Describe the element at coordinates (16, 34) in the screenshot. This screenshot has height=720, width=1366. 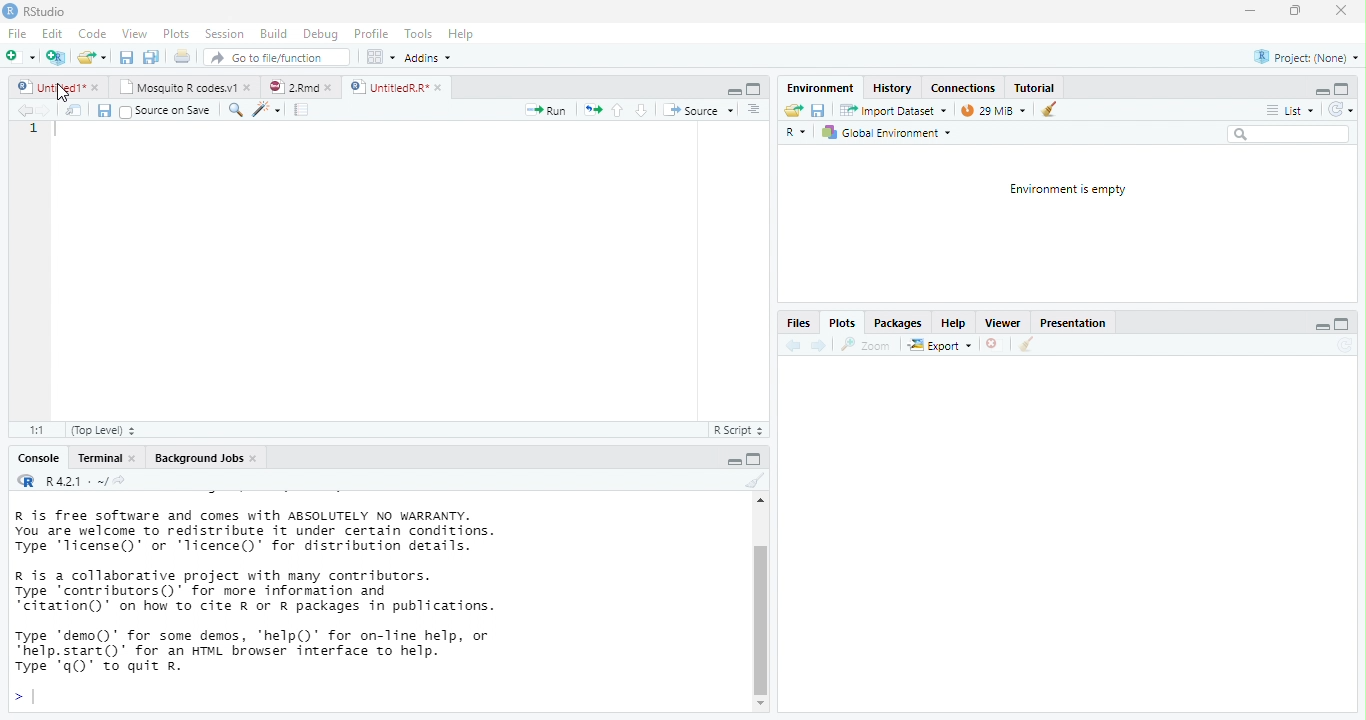
I see `File` at that location.